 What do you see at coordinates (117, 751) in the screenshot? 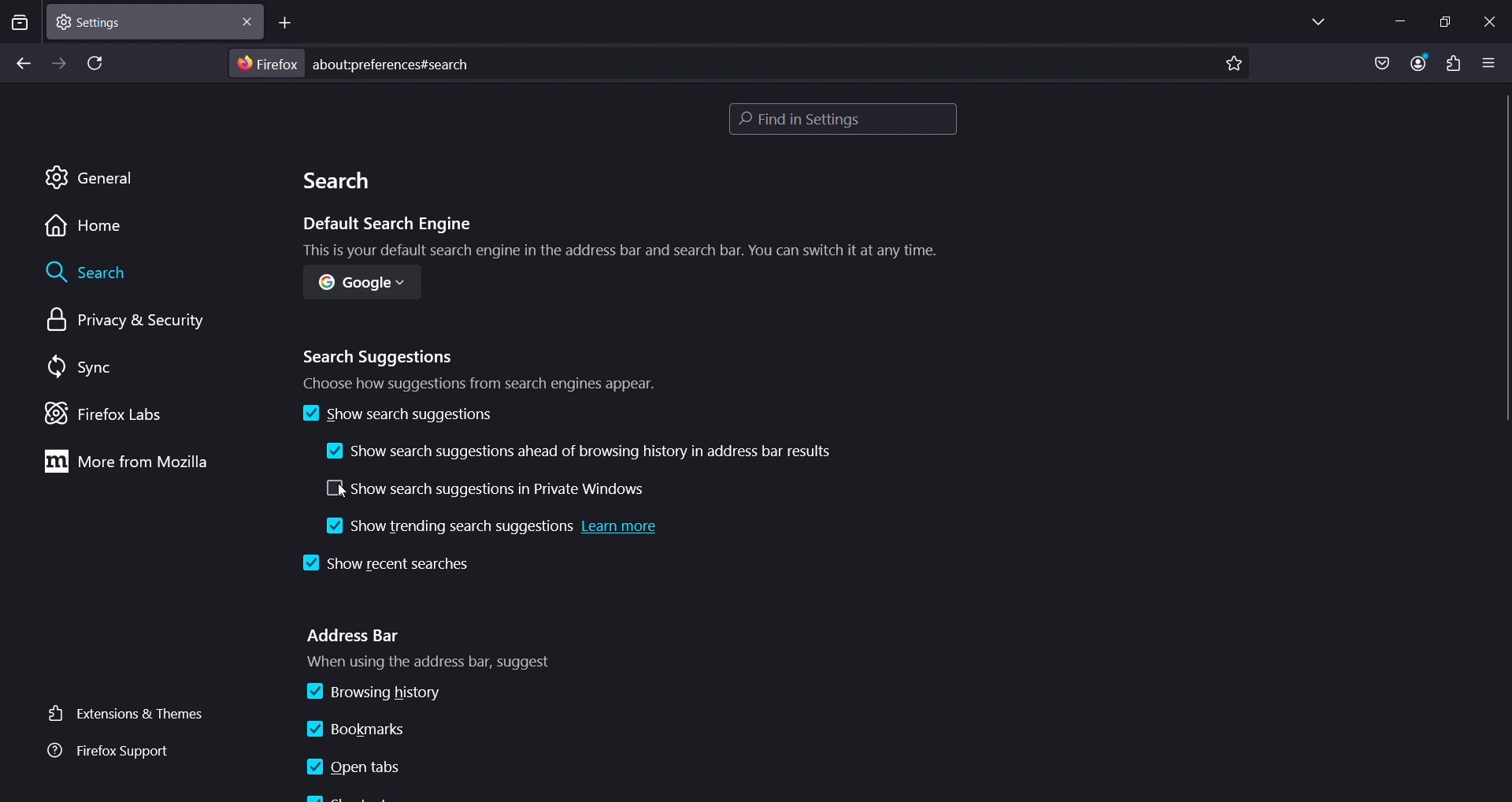
I see `firefox support` at bounding box center [117, 751].